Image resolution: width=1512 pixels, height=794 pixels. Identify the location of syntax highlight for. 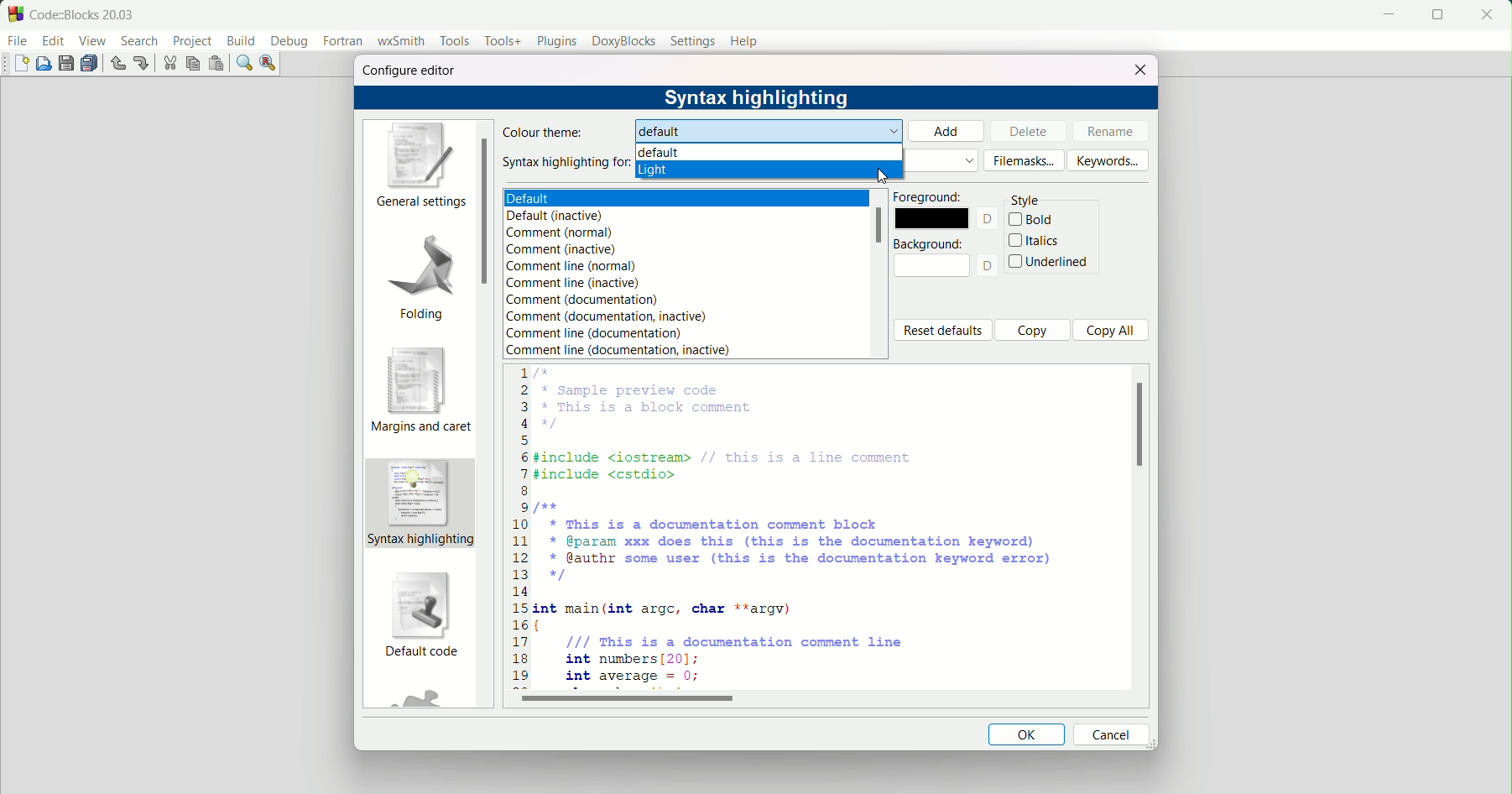
(566, 162).